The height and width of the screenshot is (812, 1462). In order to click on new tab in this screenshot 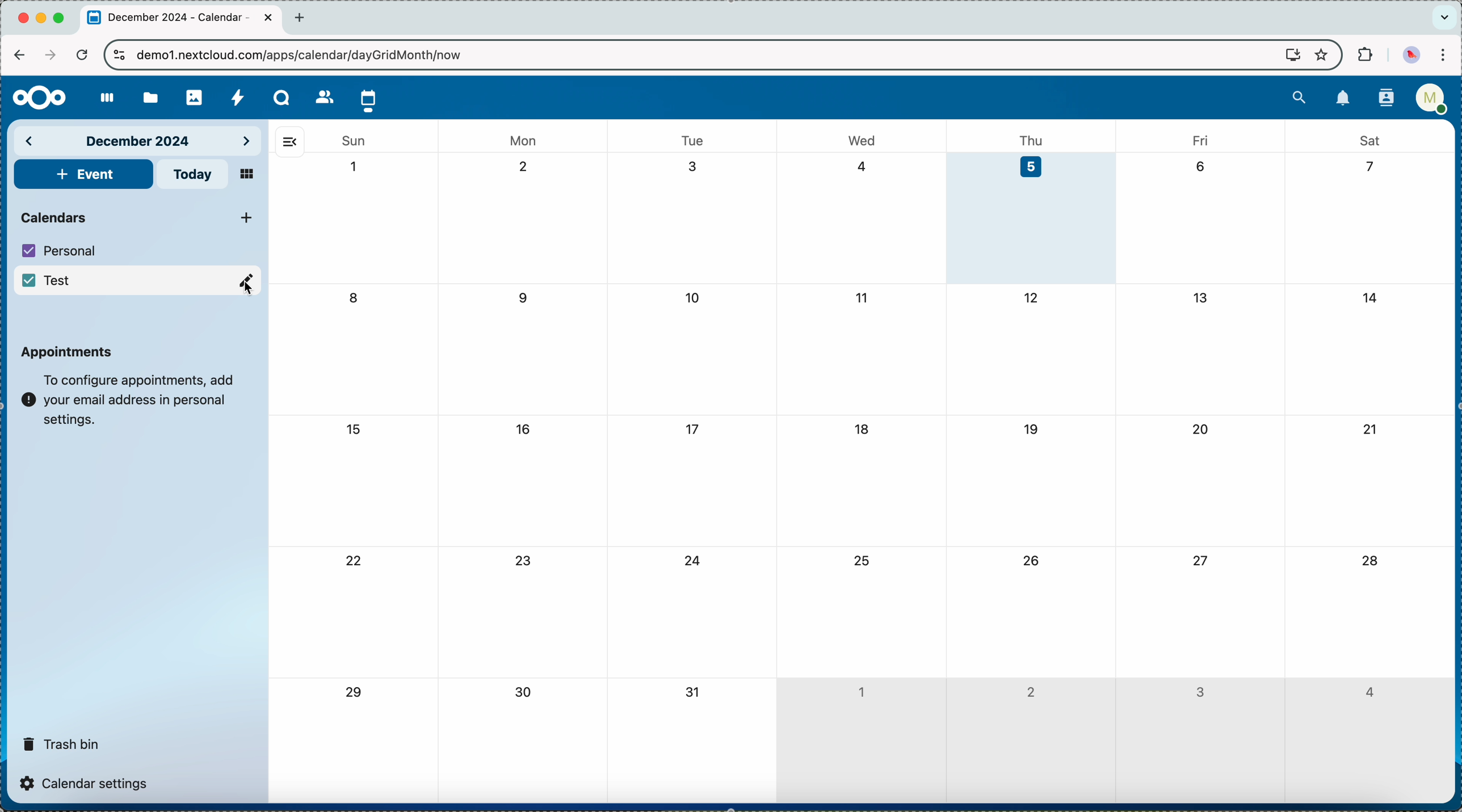, I will do `click(303, 18)`.